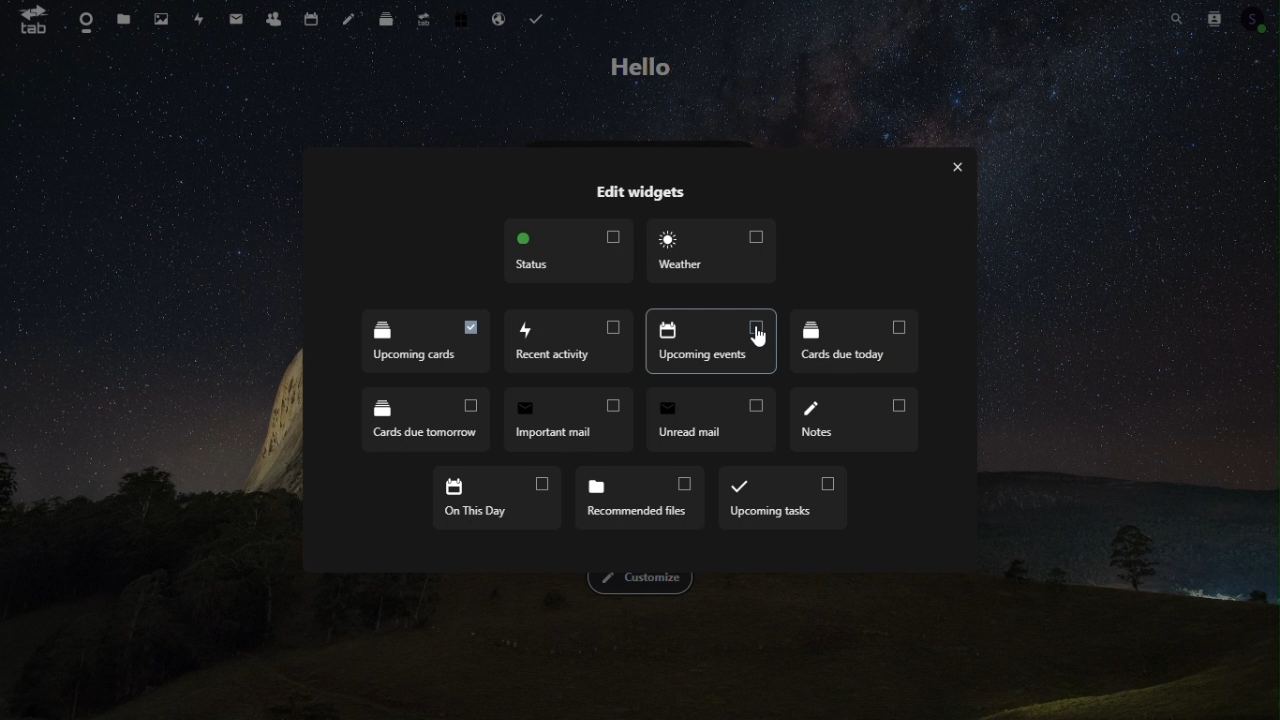 This screenshot has height=720, width=1280. Describe the element at coordinates (200, 18) in the screenshot. I see `Activity` at that location.